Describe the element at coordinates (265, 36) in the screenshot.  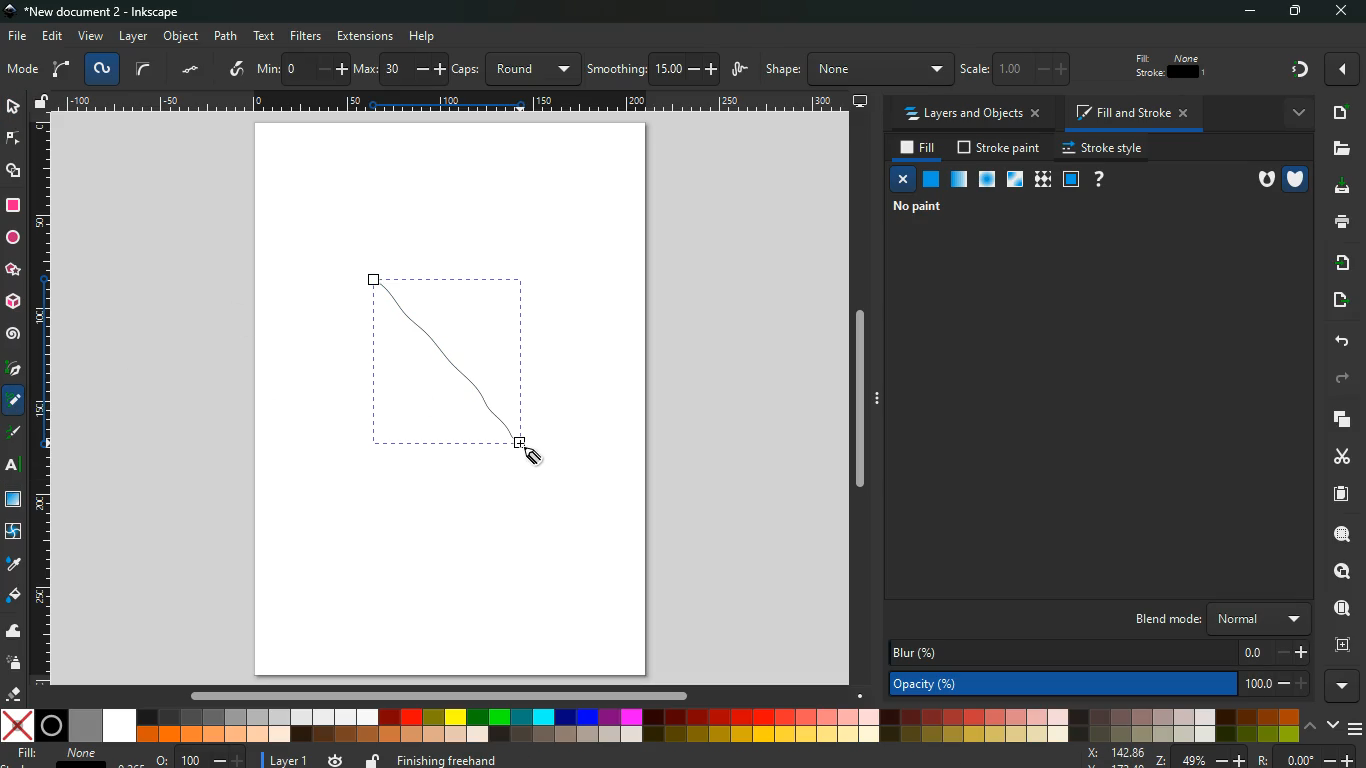
I see `text` at that location.